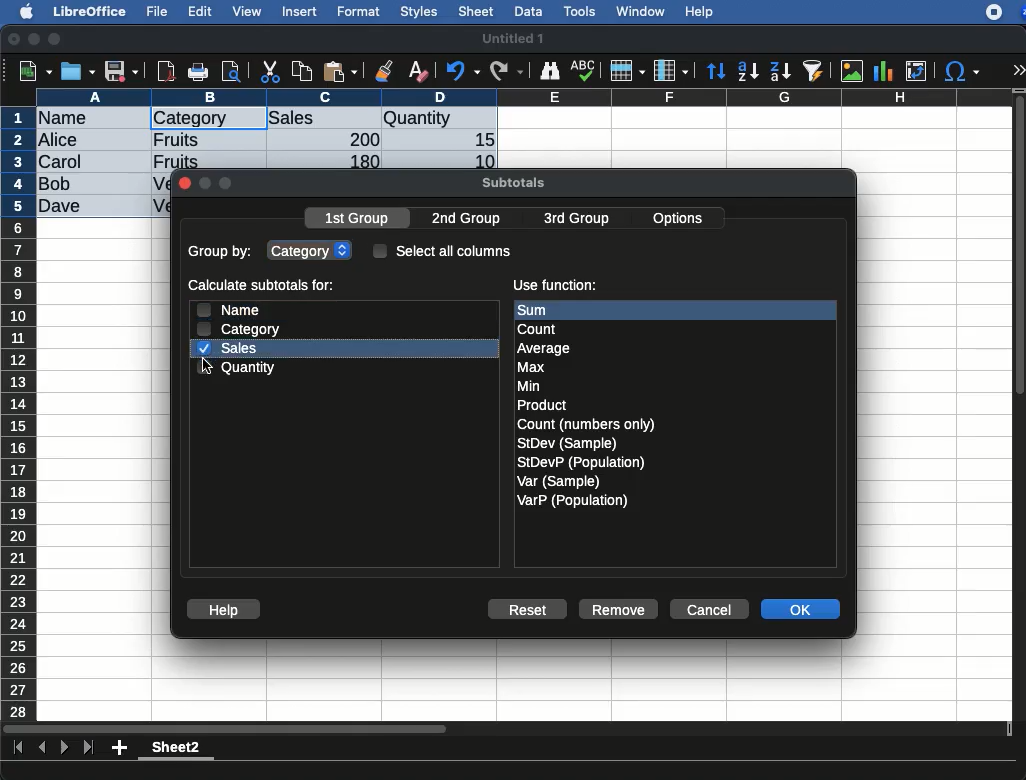 This screenshot has height=780, width=1026. I want to click on first sheet, so click(20, 748).